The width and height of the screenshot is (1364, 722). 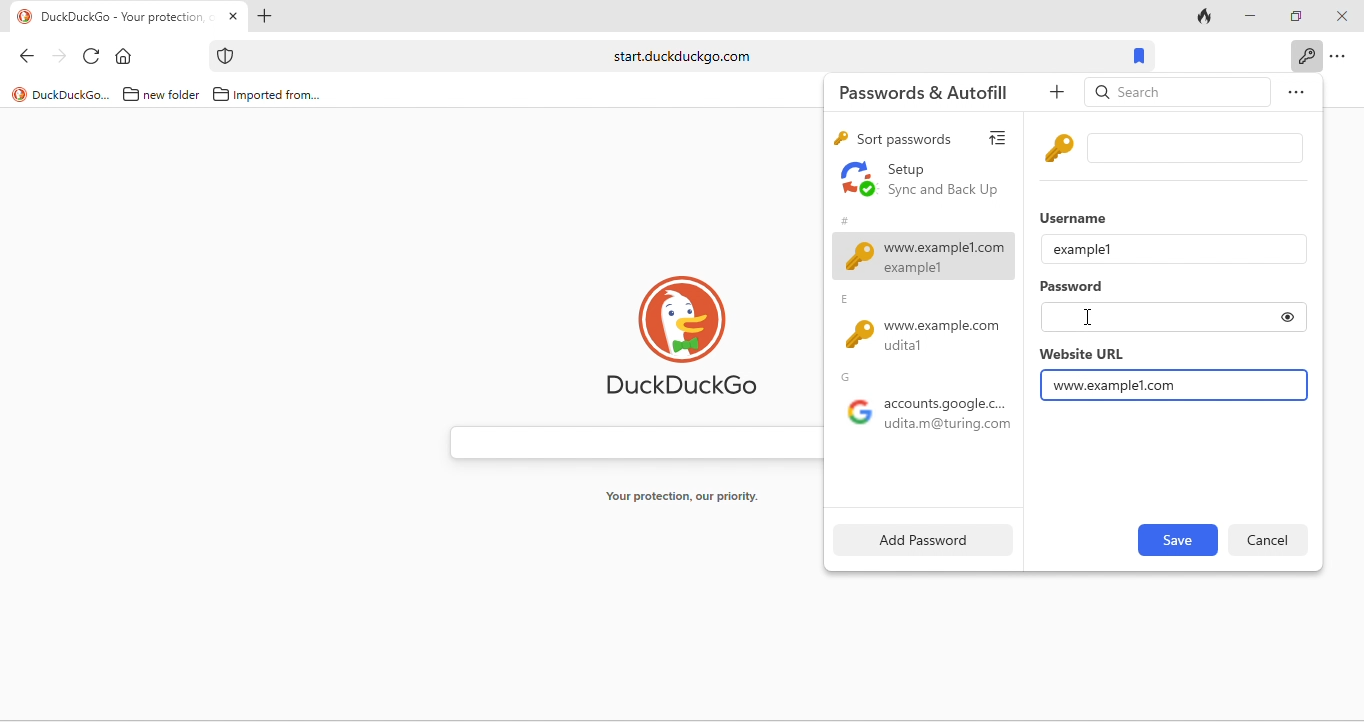 What do you see at coordinates (25, 17) in the screenshot?
I see `logo` at bounding box center [25, 17].